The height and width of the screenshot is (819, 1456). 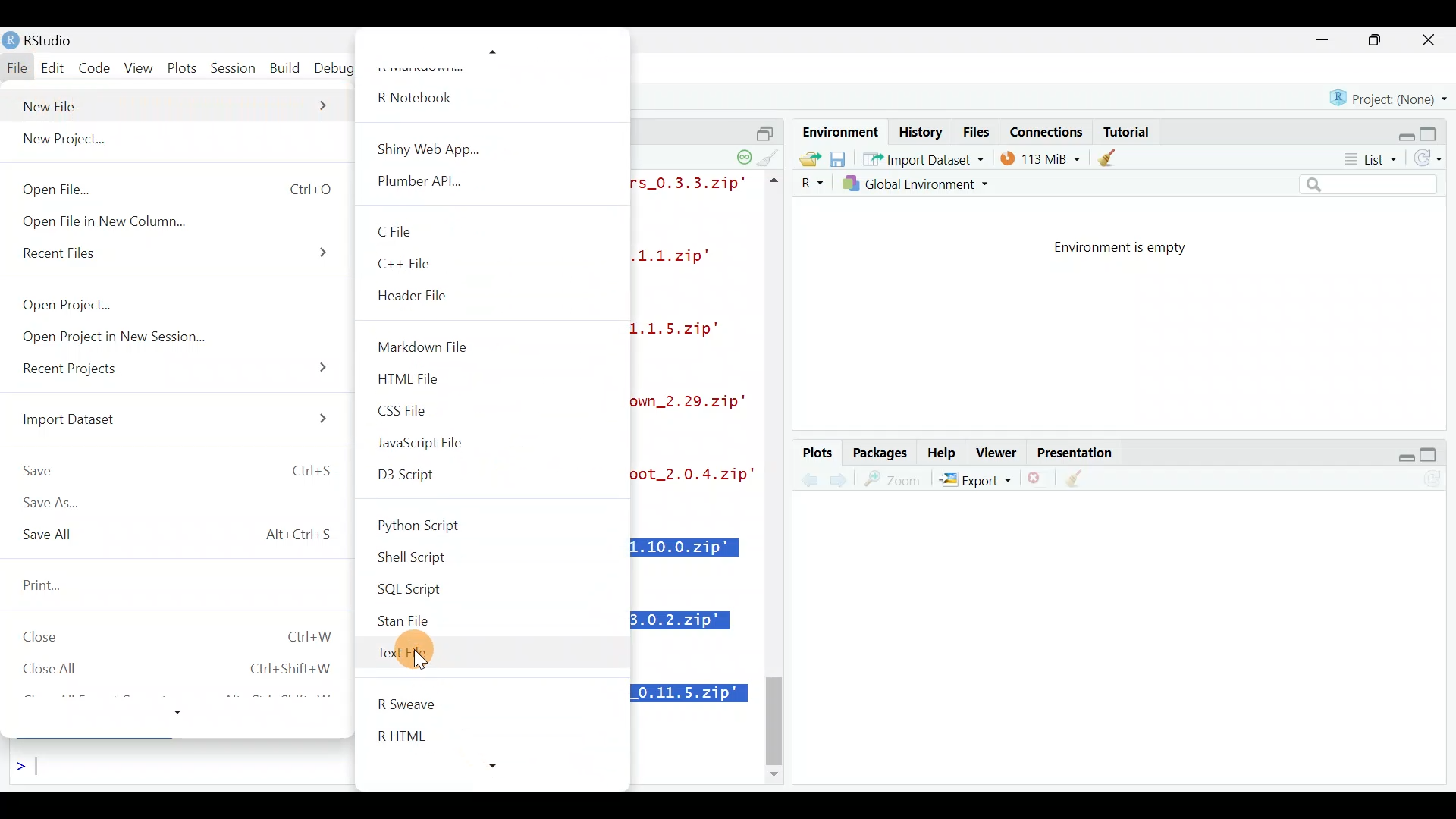 What do you see at coordinates (55, 69) in the screenshot?
I see `Edit` at bounding box center [55, 69].